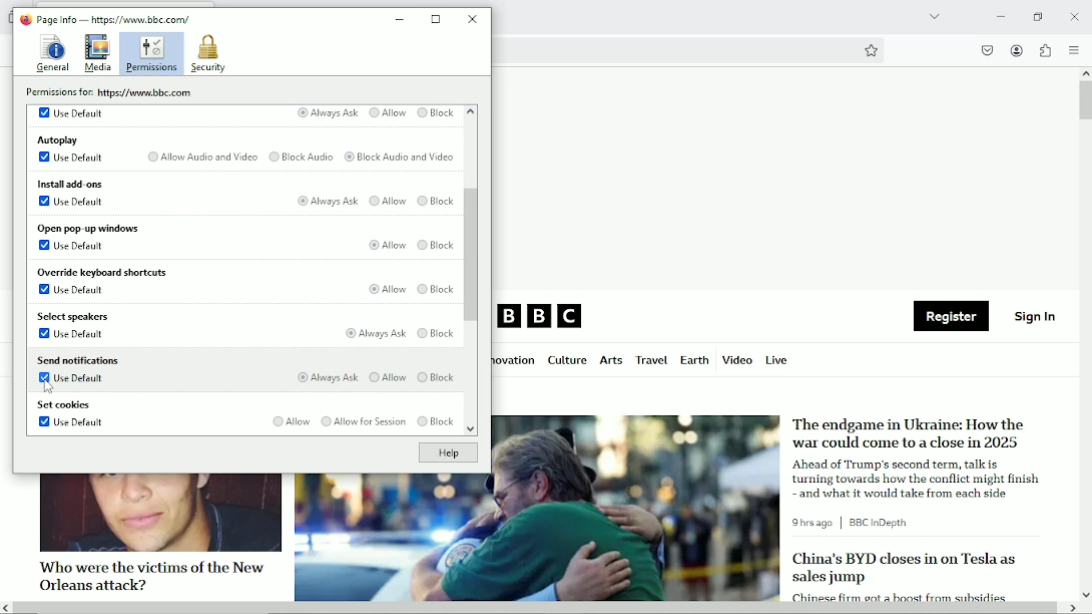 This screenshot has width=1092, height=614. Describe the element at coordinates (1085, 594) in the screenshot. I see `scroll down` at that location.